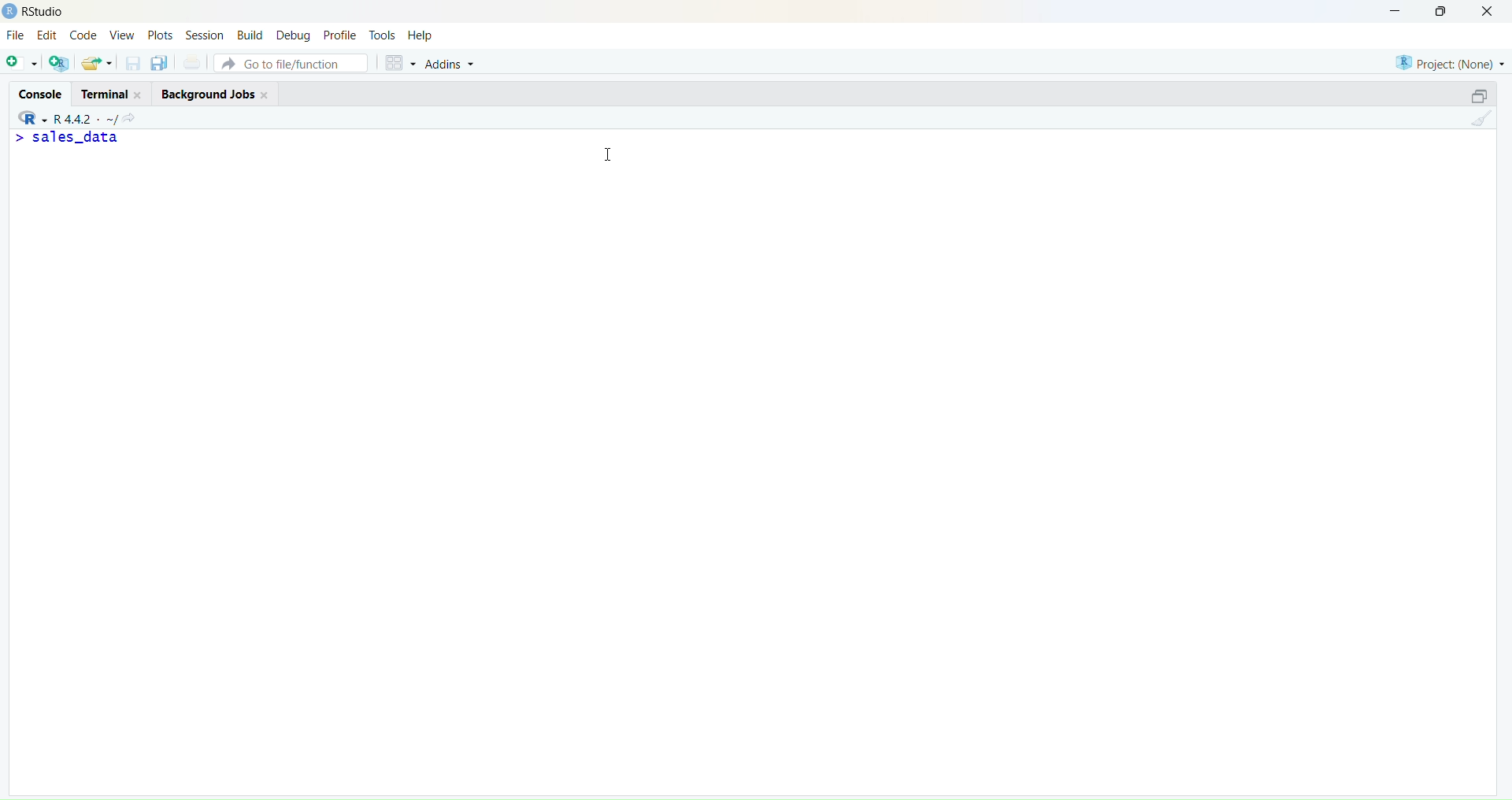 Image resolution: width=1512 pixels, height=800 pixels. I want to click on add script, so click(20, 64).